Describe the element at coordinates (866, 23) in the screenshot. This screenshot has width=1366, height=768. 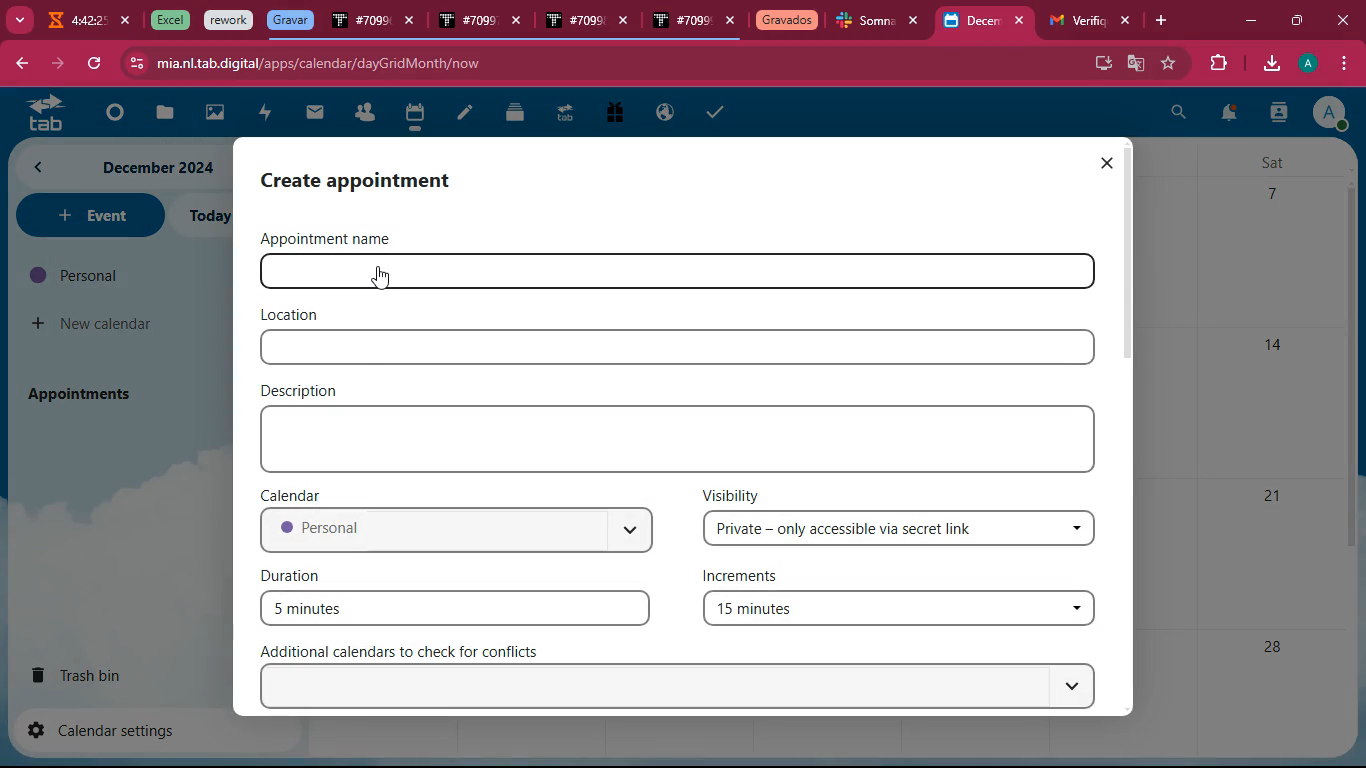
I see `tab` at that location.